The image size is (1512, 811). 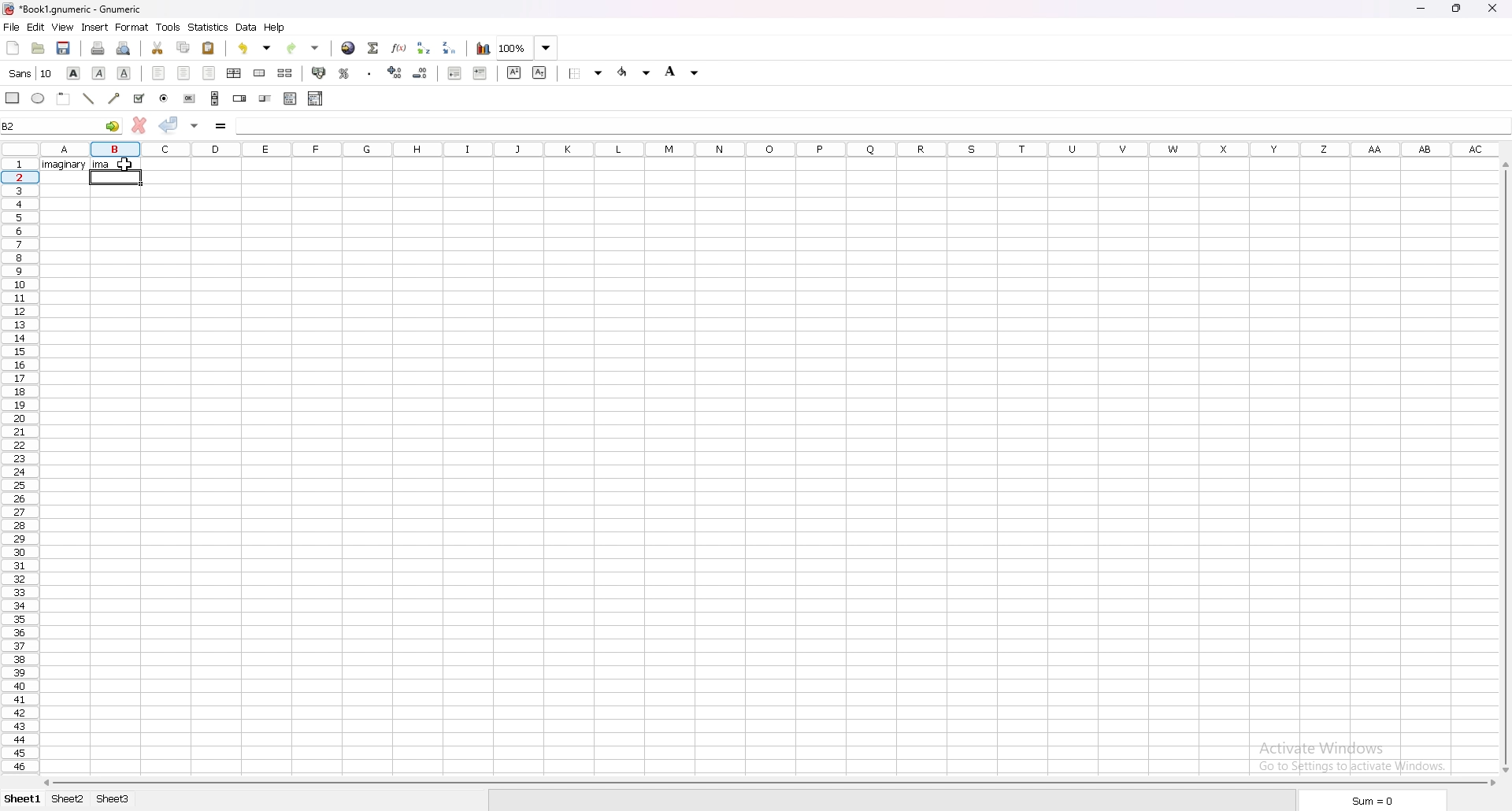 What do you see at coordinates (12, 27) in the screenshot?
I see `file` at bounding box center [12, 27].